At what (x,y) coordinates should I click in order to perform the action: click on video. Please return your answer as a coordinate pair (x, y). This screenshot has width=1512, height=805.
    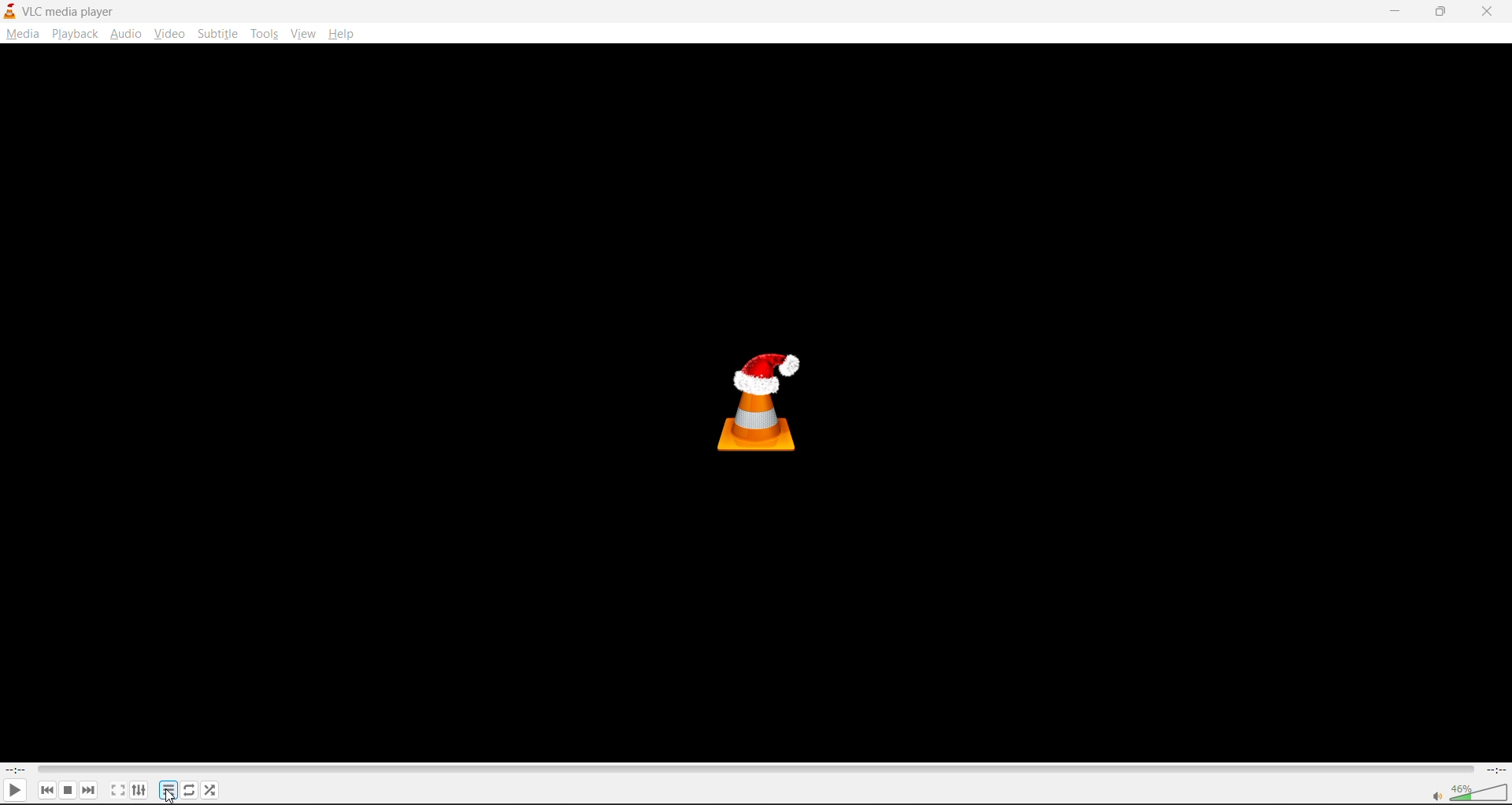
    Looking at the image, I should click on (169, 34).